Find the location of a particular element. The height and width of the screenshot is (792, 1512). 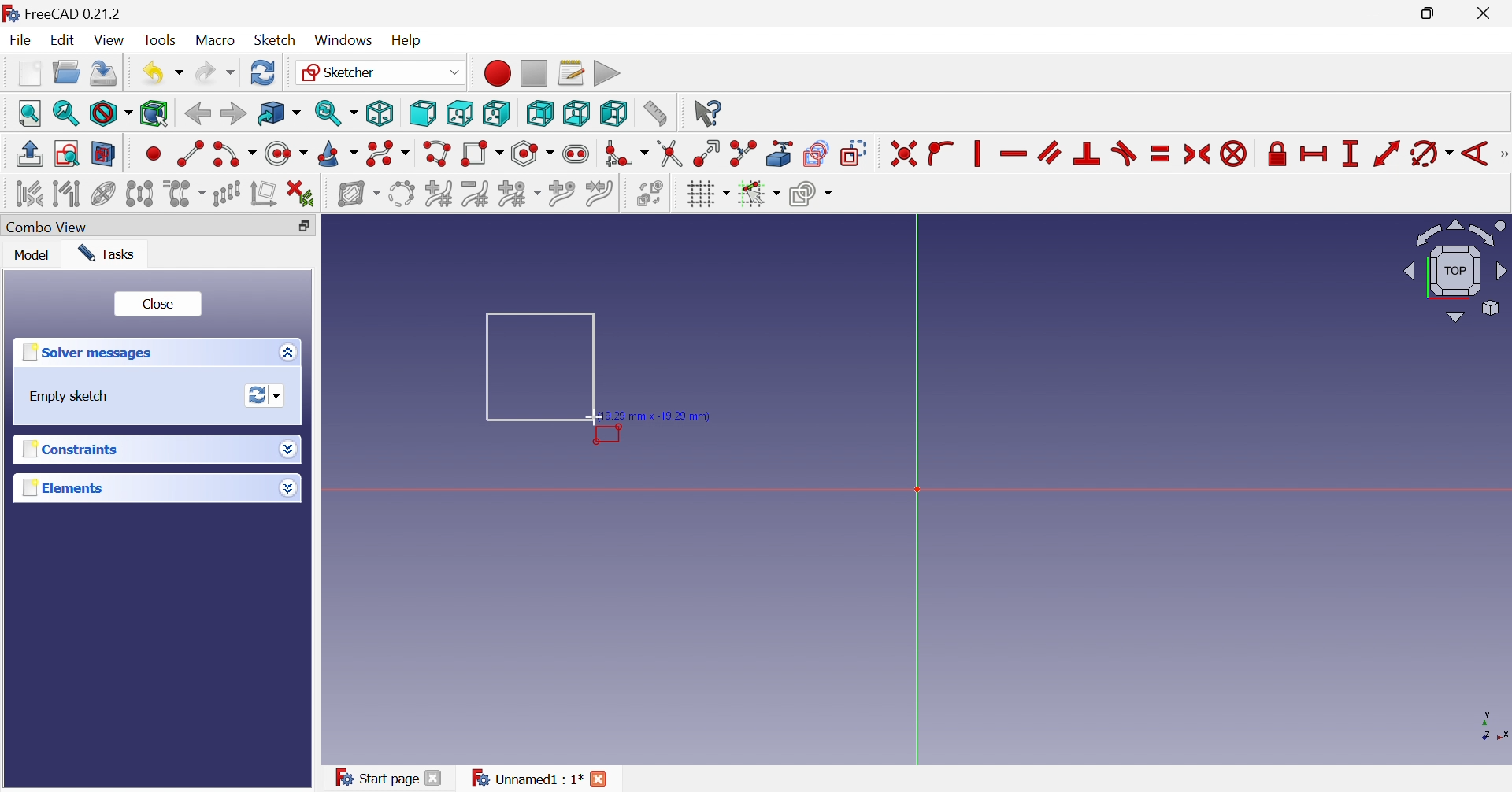

Sketch is located at coordinates (275, 40).